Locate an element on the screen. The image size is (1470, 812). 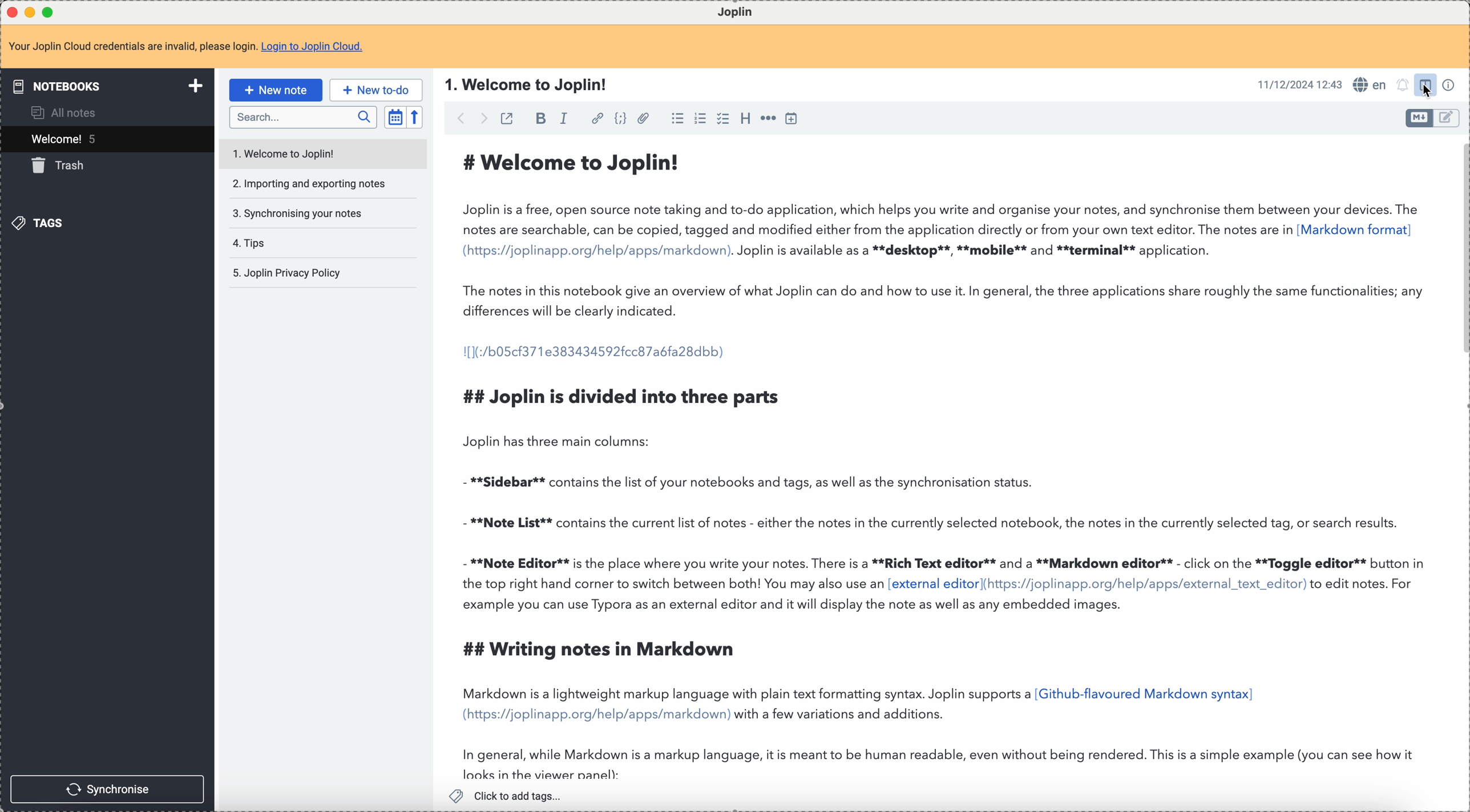
importing and exporting notes is located at coordinates (308, 184).